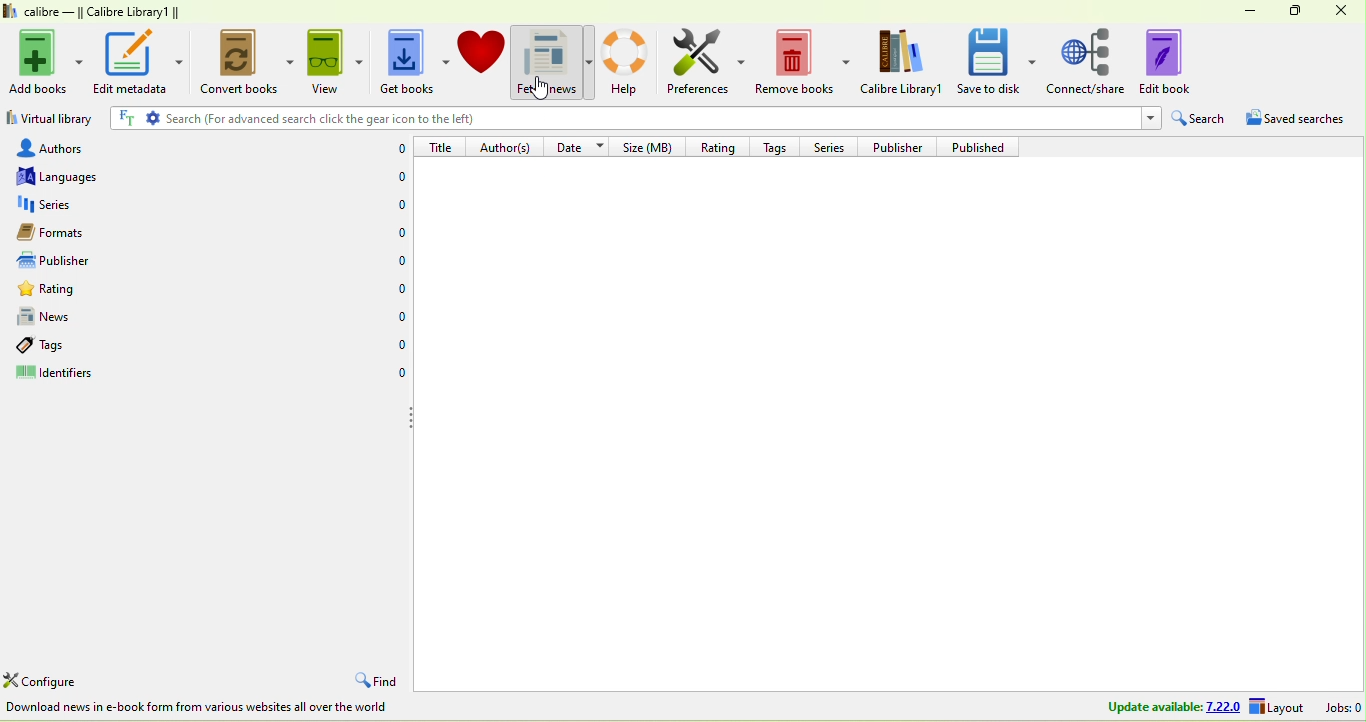 This screenshot has width=1366, height=722. What do you see at coordinates (399, 150) in the screenshot?
I see `0` at bounding box center [399, 150].